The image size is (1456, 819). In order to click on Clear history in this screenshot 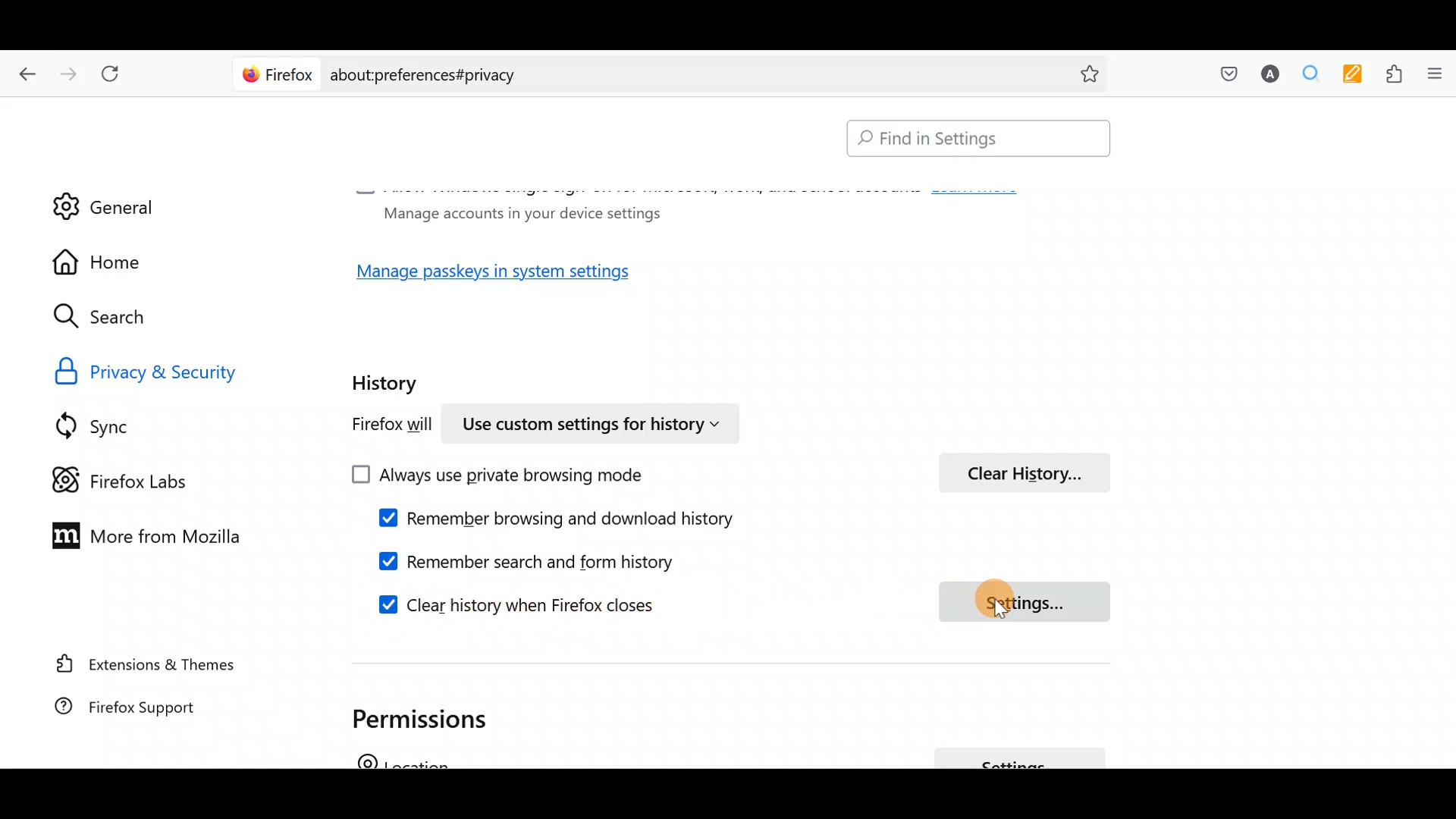, I will do `click(1031, 471)`.